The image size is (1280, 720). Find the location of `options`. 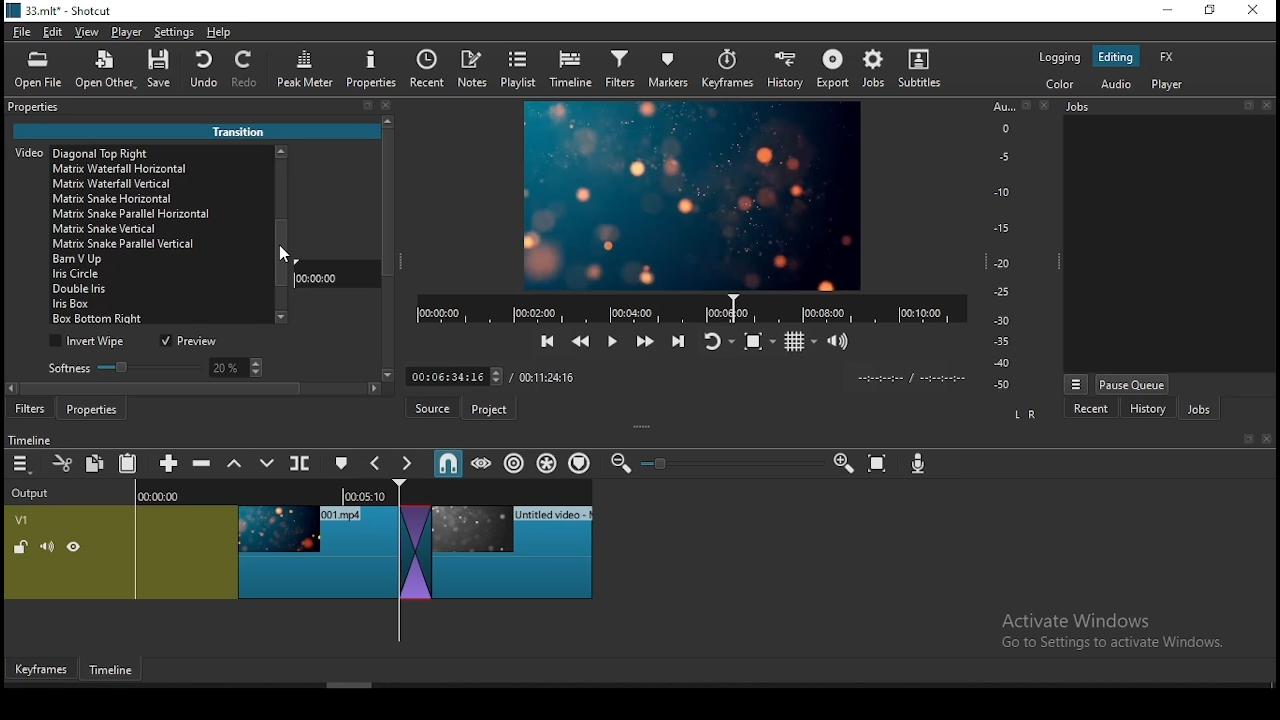

options is located at coordinates (1076, 382).